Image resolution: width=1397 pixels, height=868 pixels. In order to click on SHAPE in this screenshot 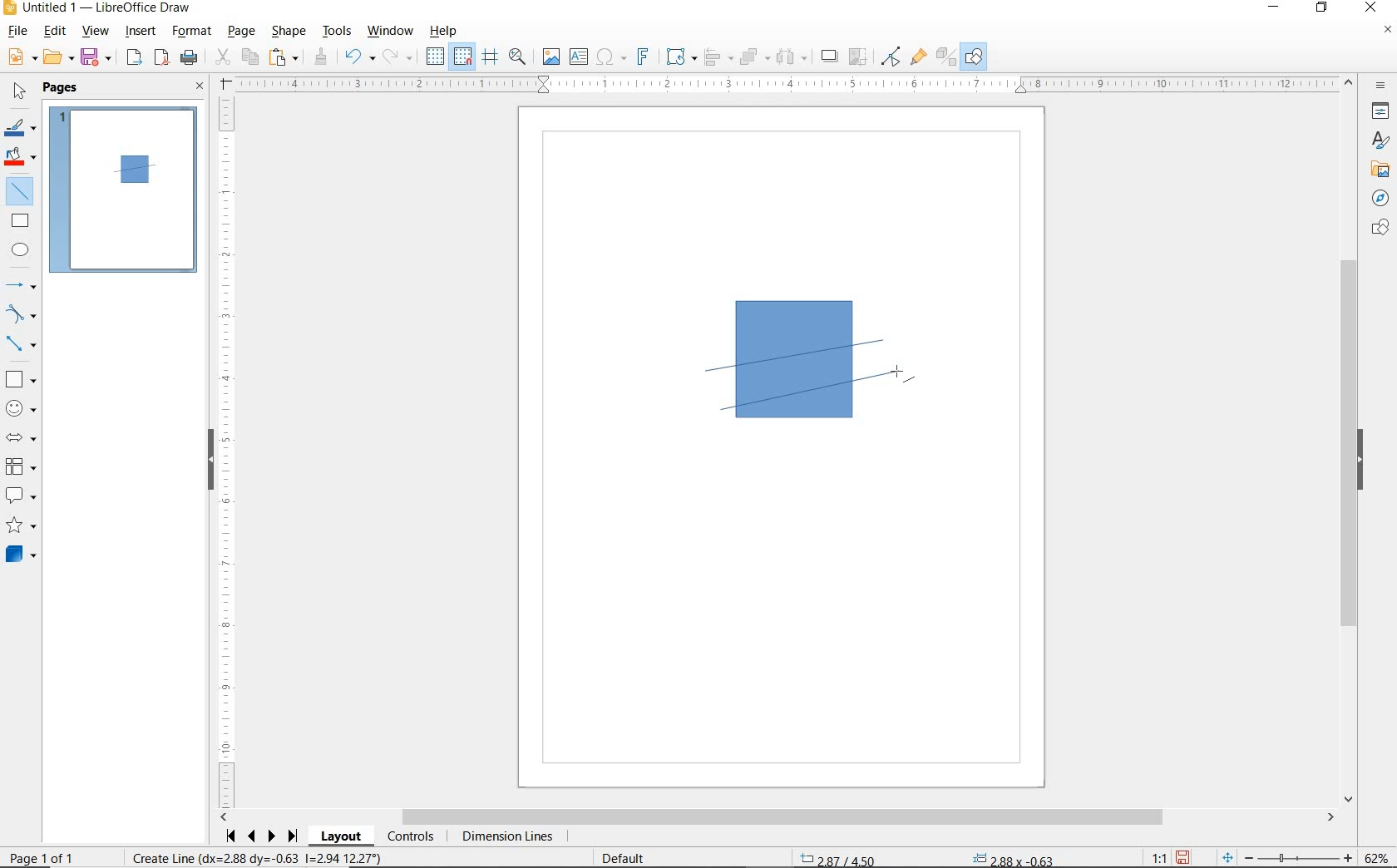, I will do `click(289, 32)`.